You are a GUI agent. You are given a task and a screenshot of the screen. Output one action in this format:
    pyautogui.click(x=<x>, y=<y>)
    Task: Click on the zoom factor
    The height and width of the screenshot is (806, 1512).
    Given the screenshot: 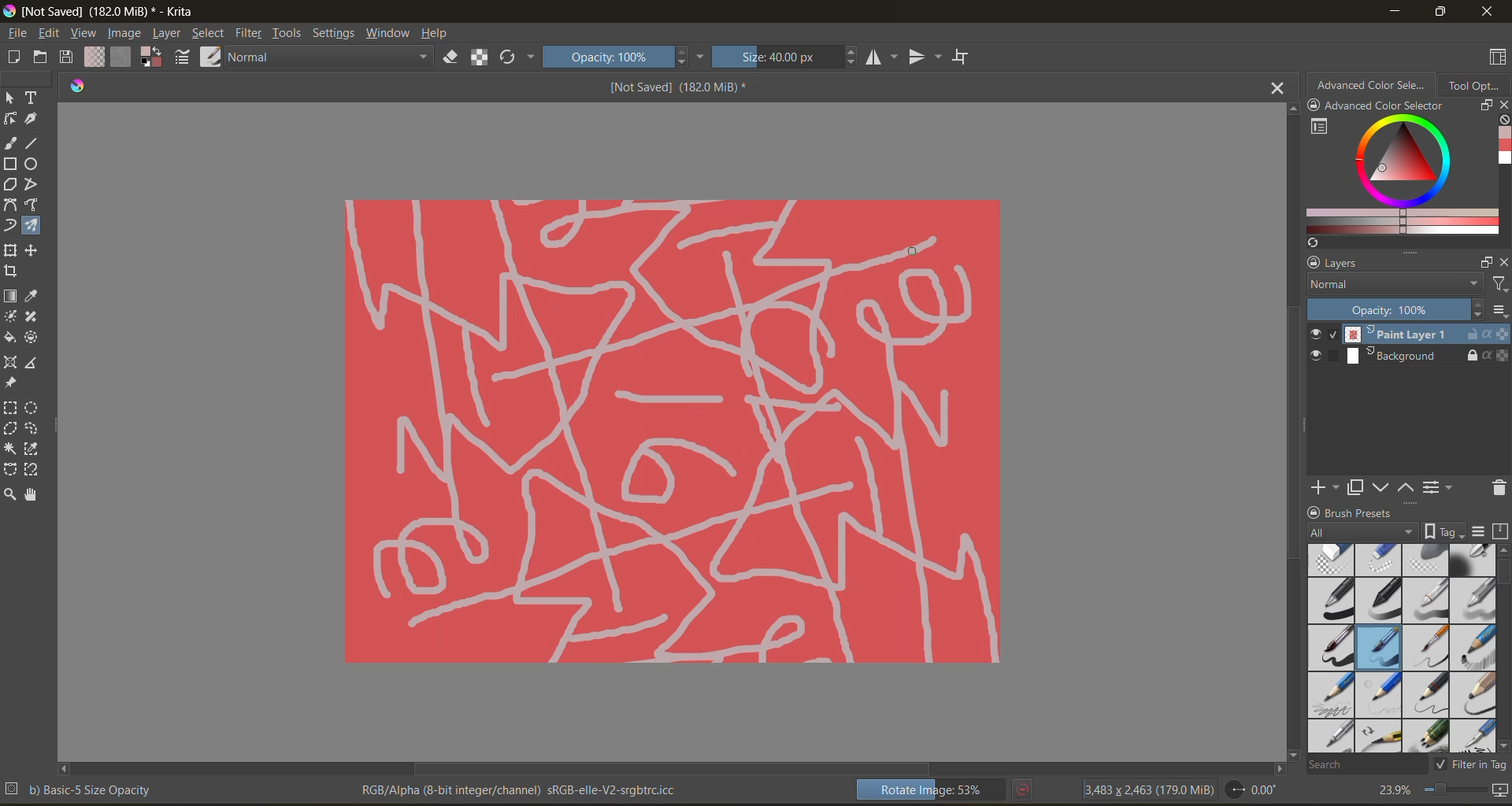 What is the action you would take?
    pyautogui.click(x=1395, y=789)
    